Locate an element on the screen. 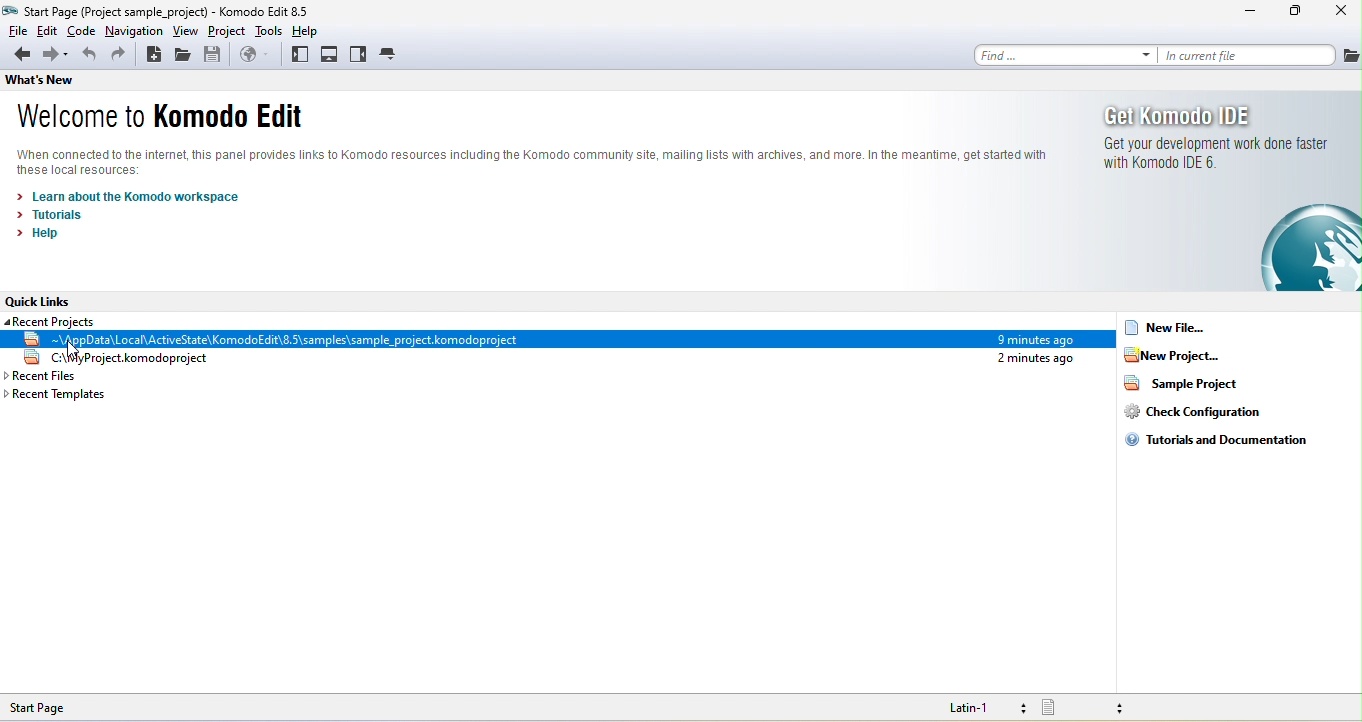  code is located at coordinates (87, 30).